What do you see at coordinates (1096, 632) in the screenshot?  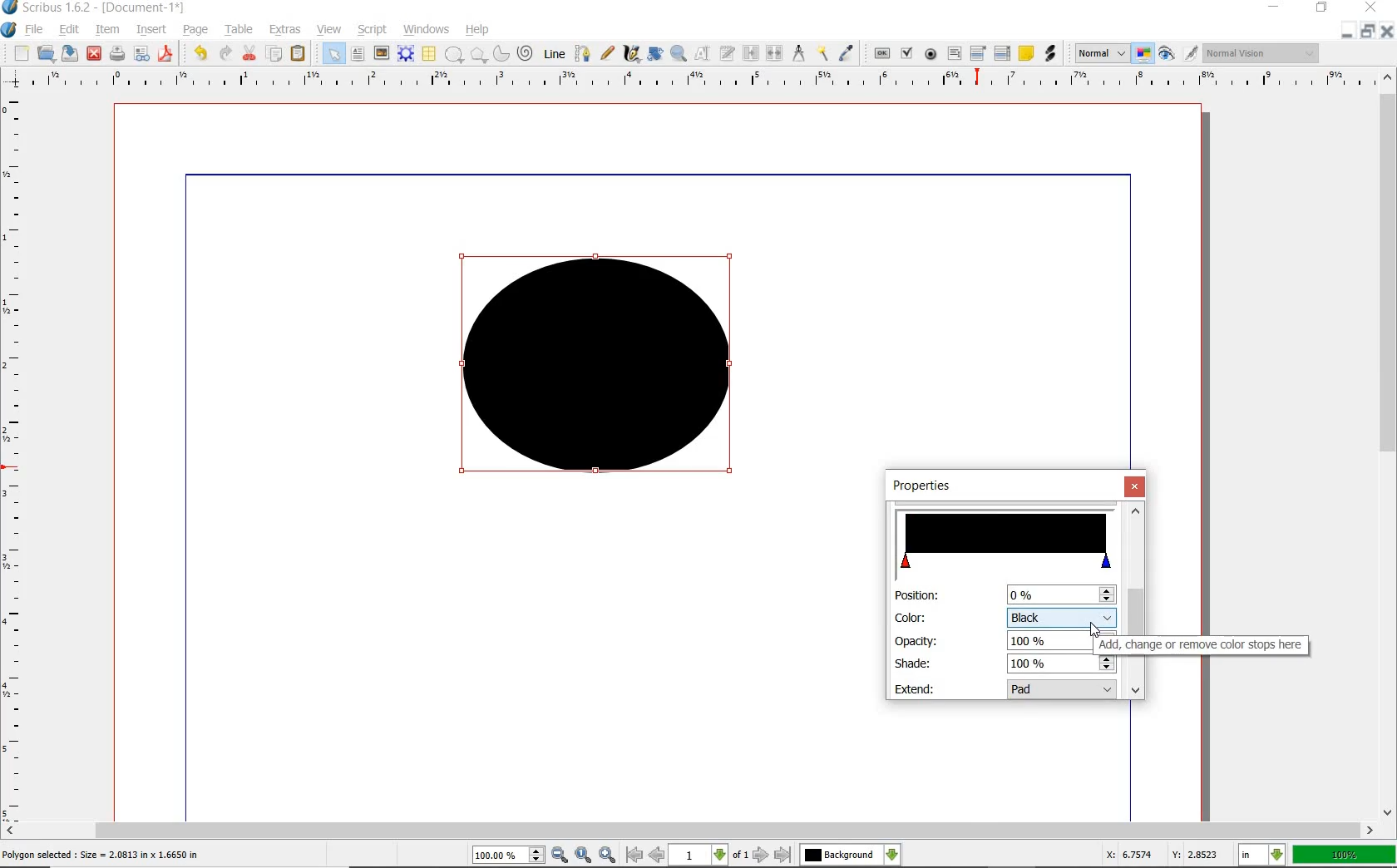 I see `cursor` at bounding box center [1096, 632].